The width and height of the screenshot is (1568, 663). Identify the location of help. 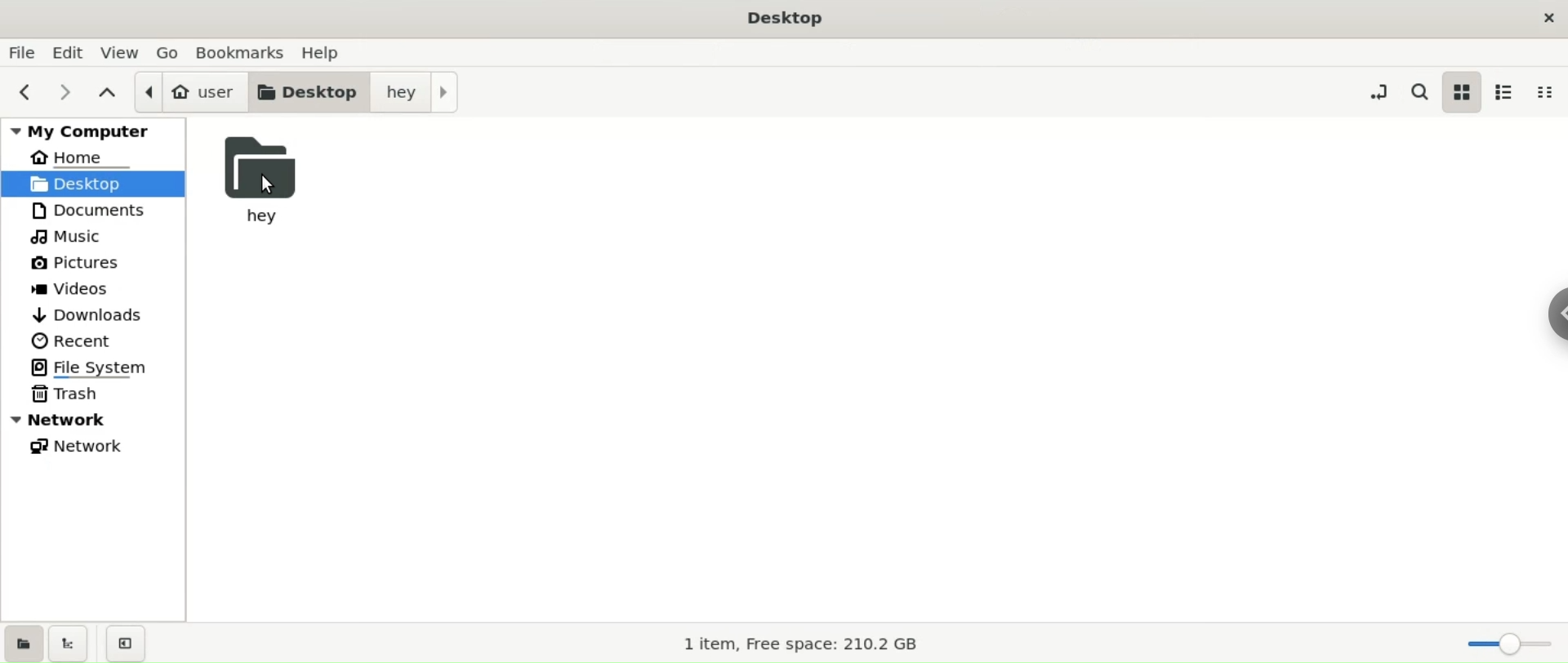
(326, 51).